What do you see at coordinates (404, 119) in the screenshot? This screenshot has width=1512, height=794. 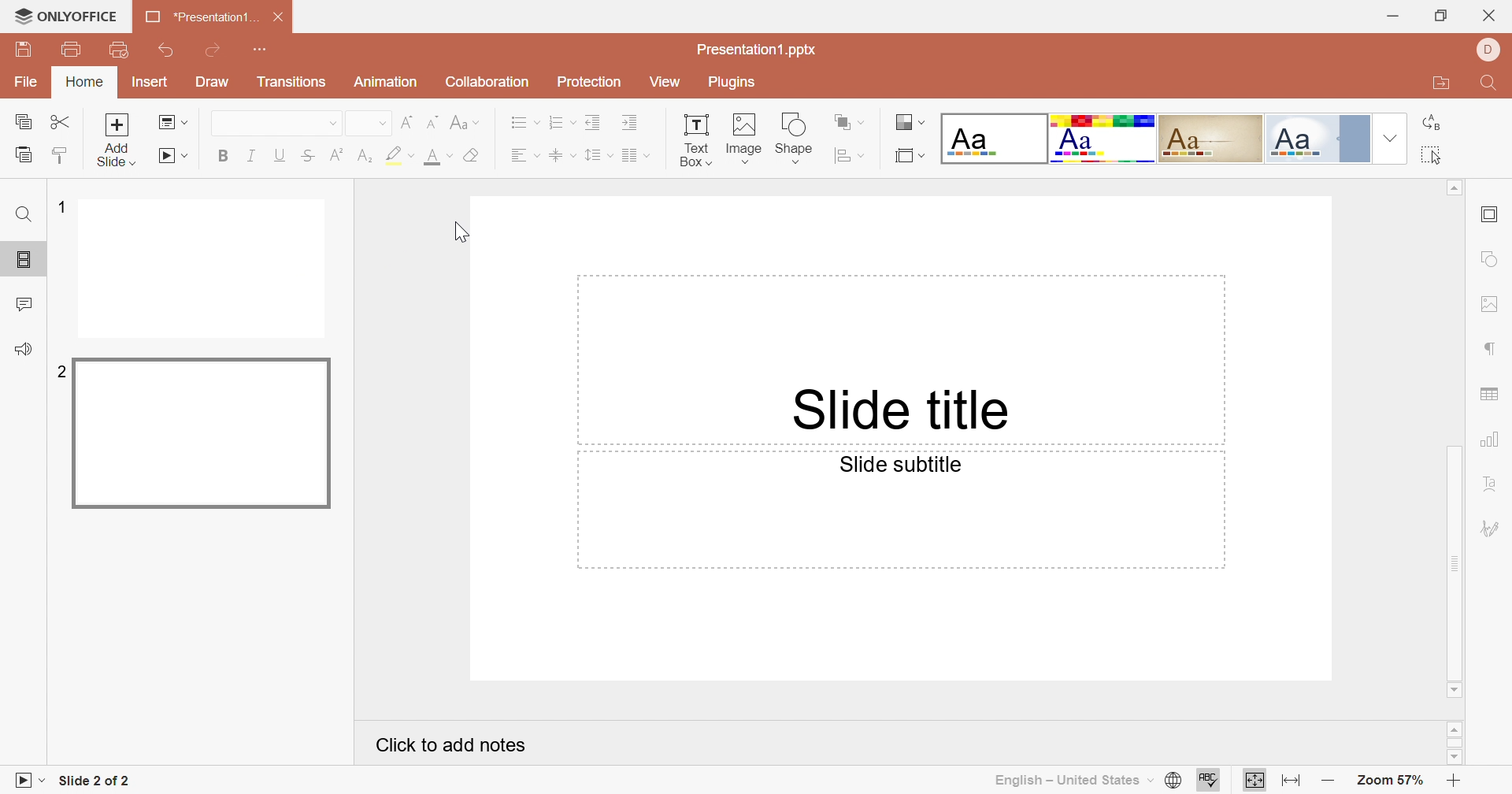 I see `Increment font size` at bounding box center [404, 119].